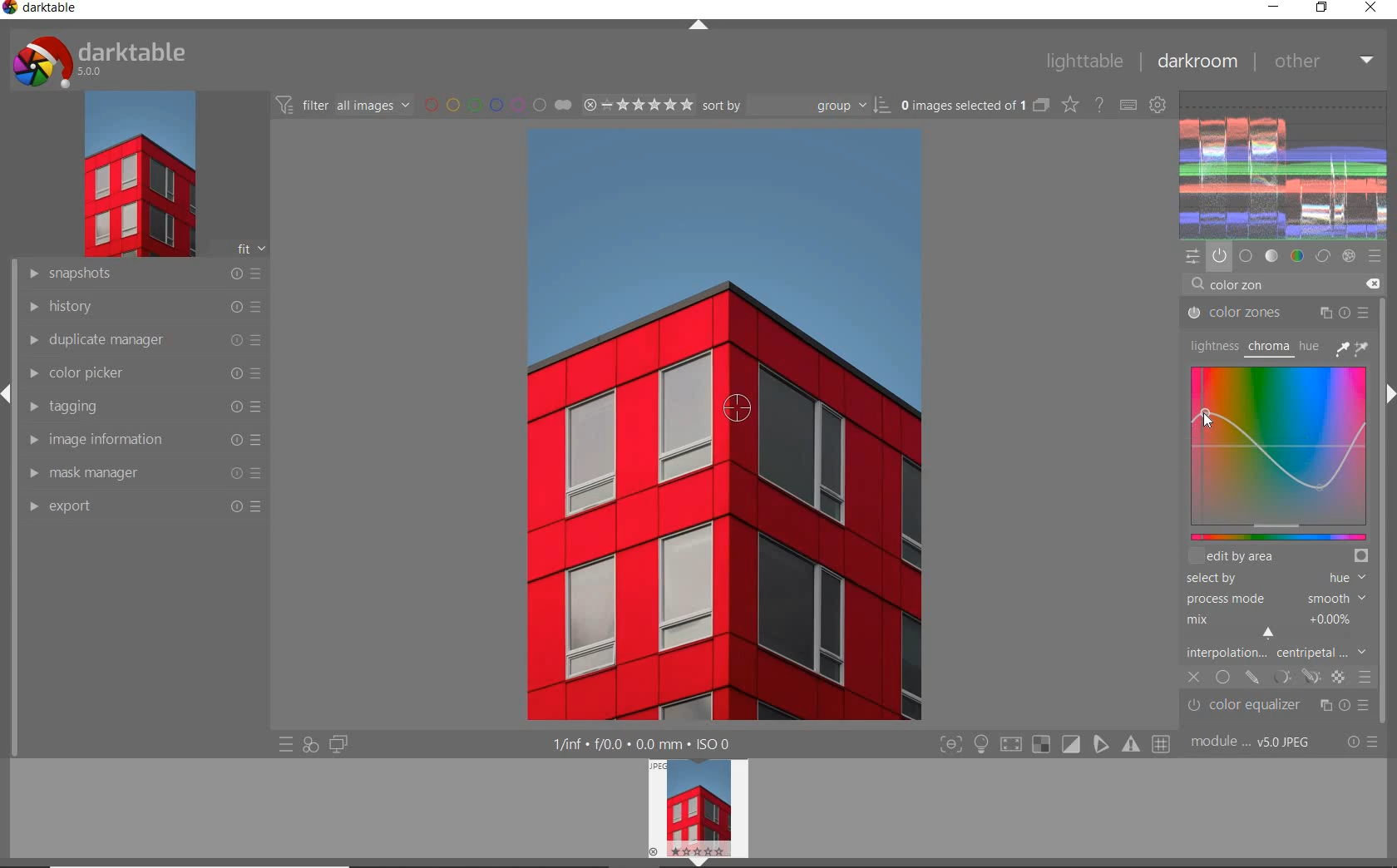 Image resolution: width=1397 pixels, height=868 pixels. Describe the element at coordinates (1128, 745) in the screenshot. I see `focus mask` at that location.